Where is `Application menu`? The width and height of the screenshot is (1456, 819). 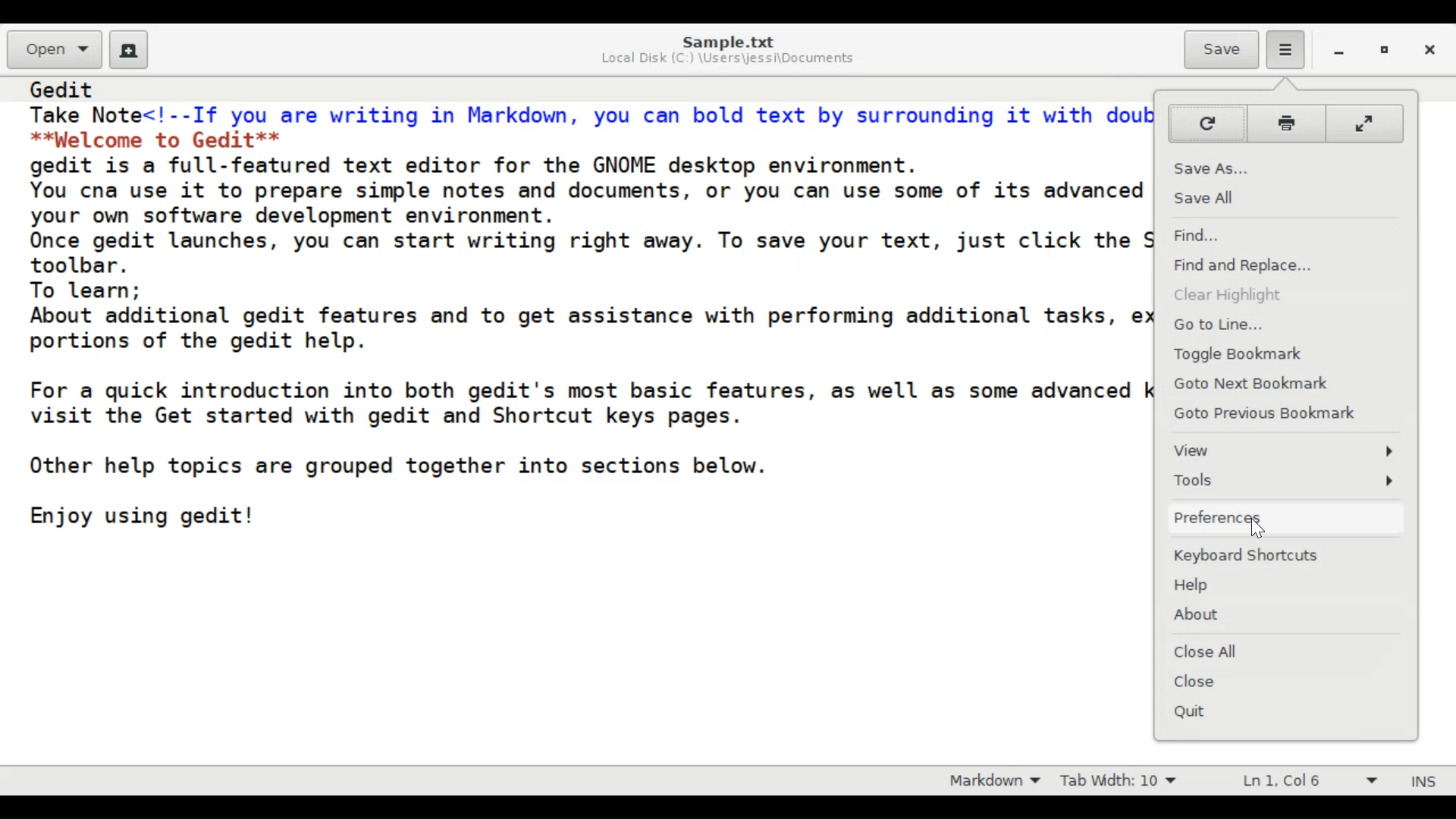
Application menu is located at coordinates (1282, 49).